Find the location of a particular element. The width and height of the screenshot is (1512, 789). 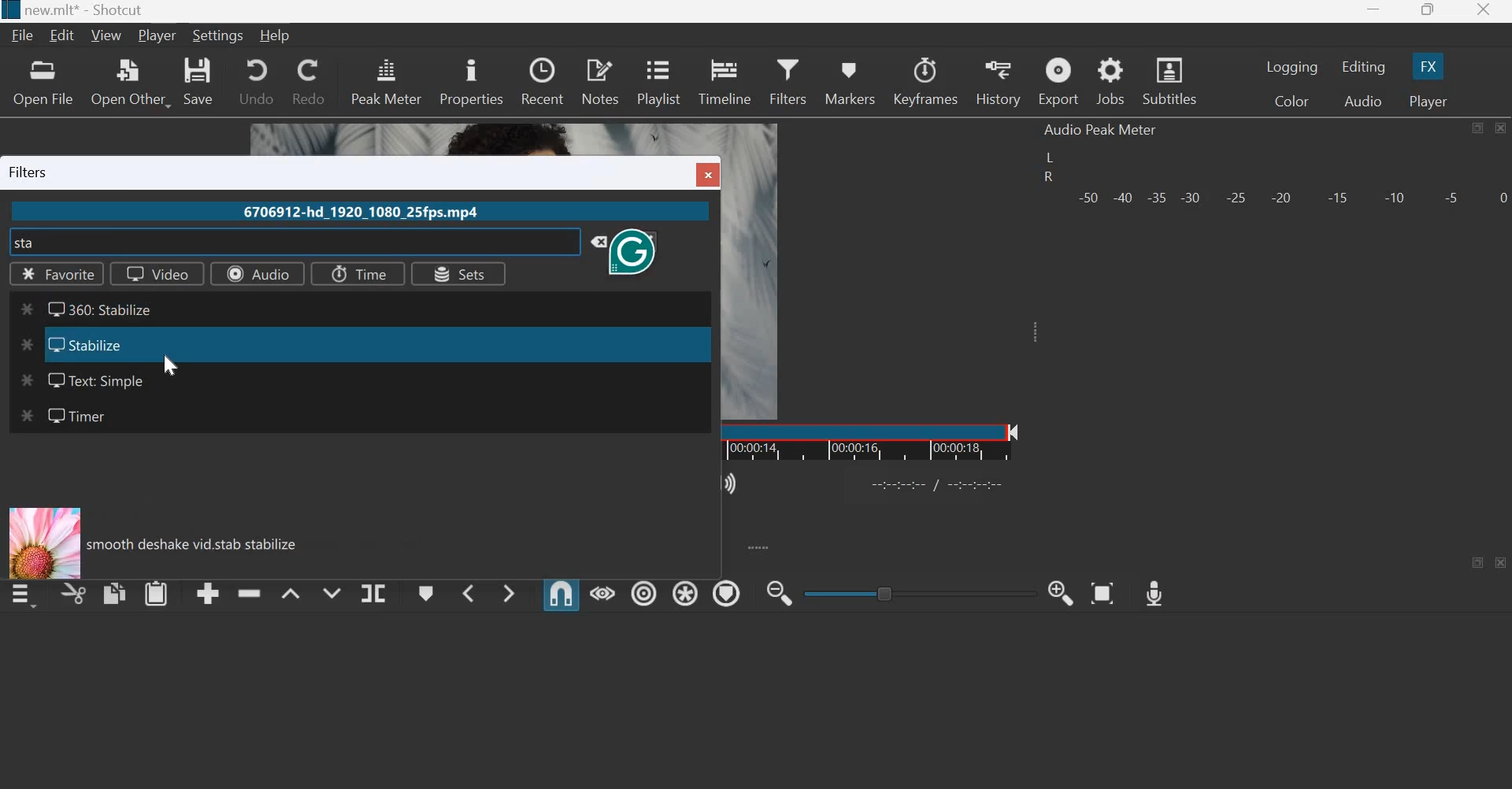

Create/edit marker is located at coordinates (424, 592).